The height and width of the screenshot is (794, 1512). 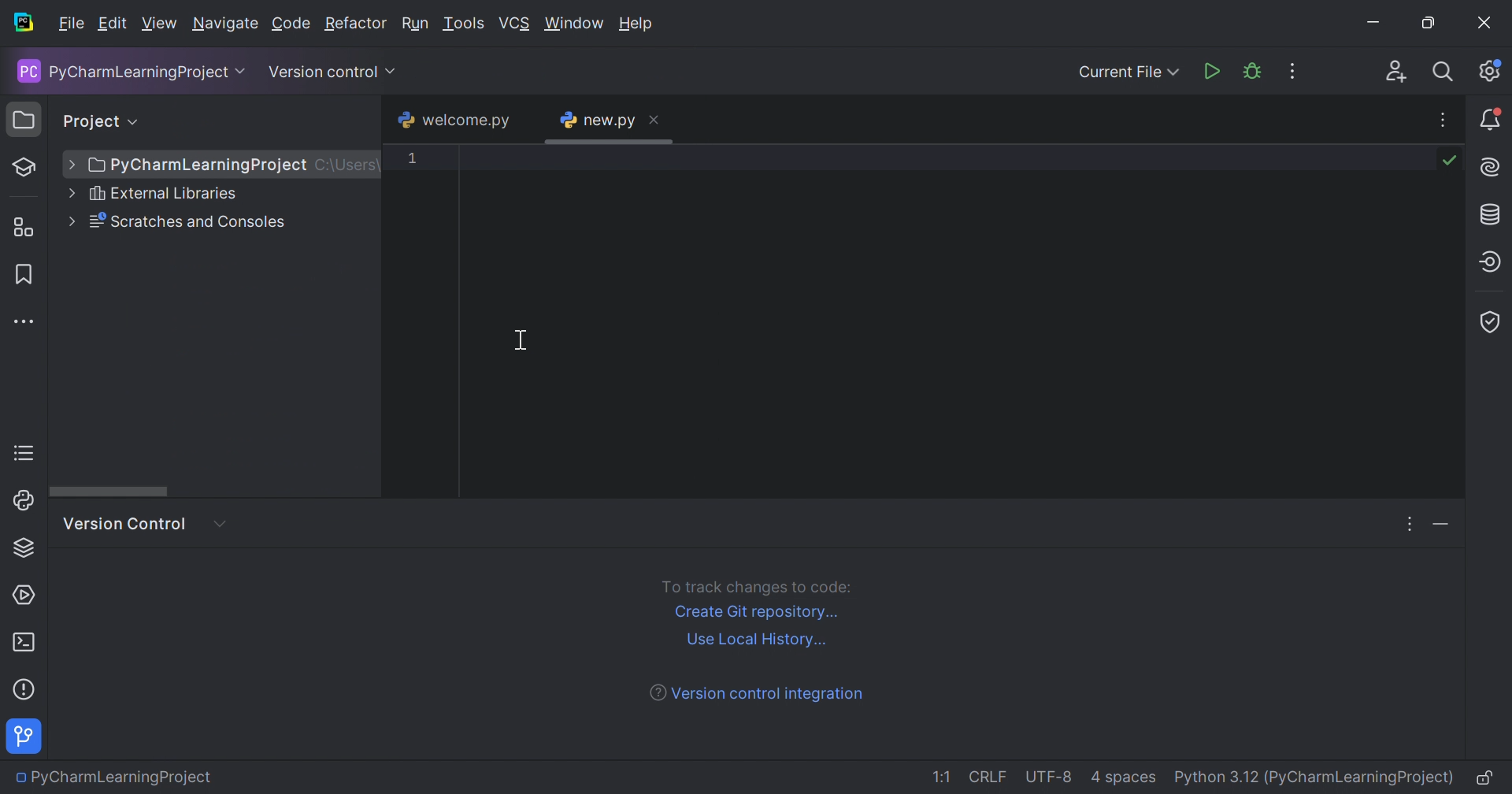 I want to click on new.py, so click(x=591, y=121).